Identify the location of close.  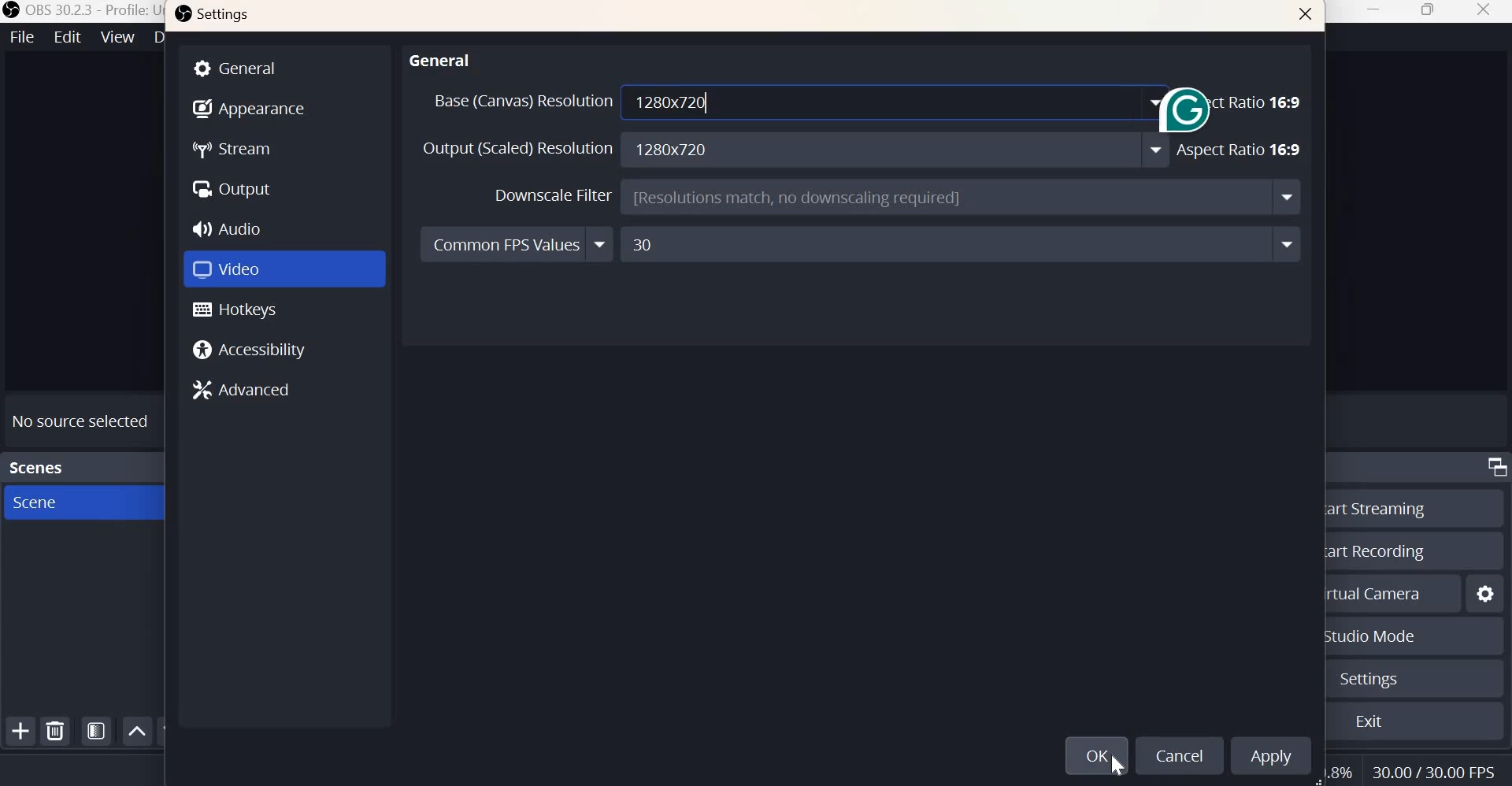
(1483, 11).